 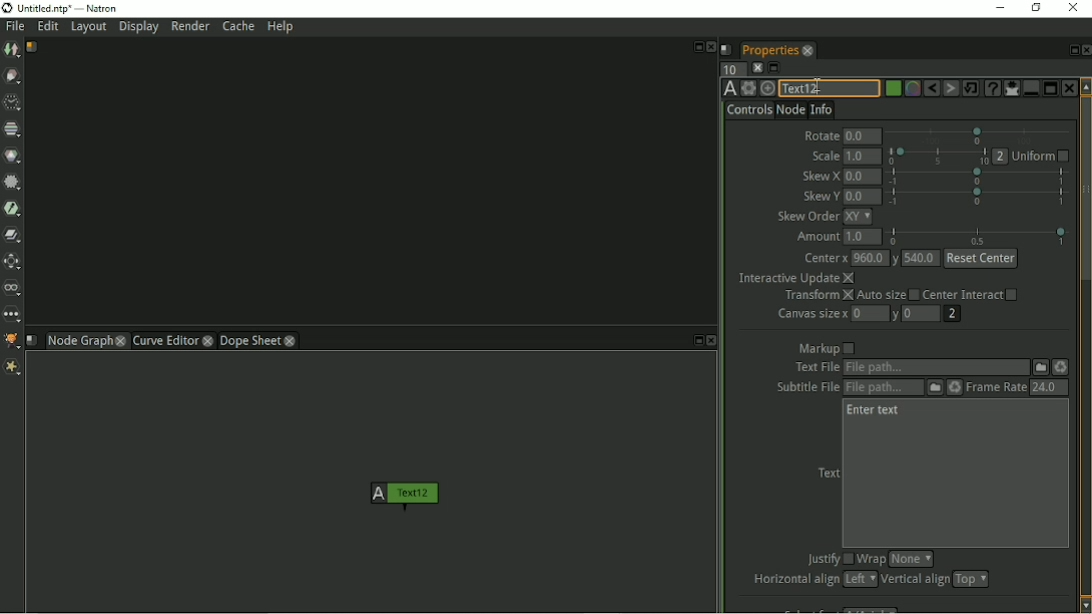 What do you see at coordinates (883, 388) in the screenshot?
I see `file path` at bounding box center [883, 388].